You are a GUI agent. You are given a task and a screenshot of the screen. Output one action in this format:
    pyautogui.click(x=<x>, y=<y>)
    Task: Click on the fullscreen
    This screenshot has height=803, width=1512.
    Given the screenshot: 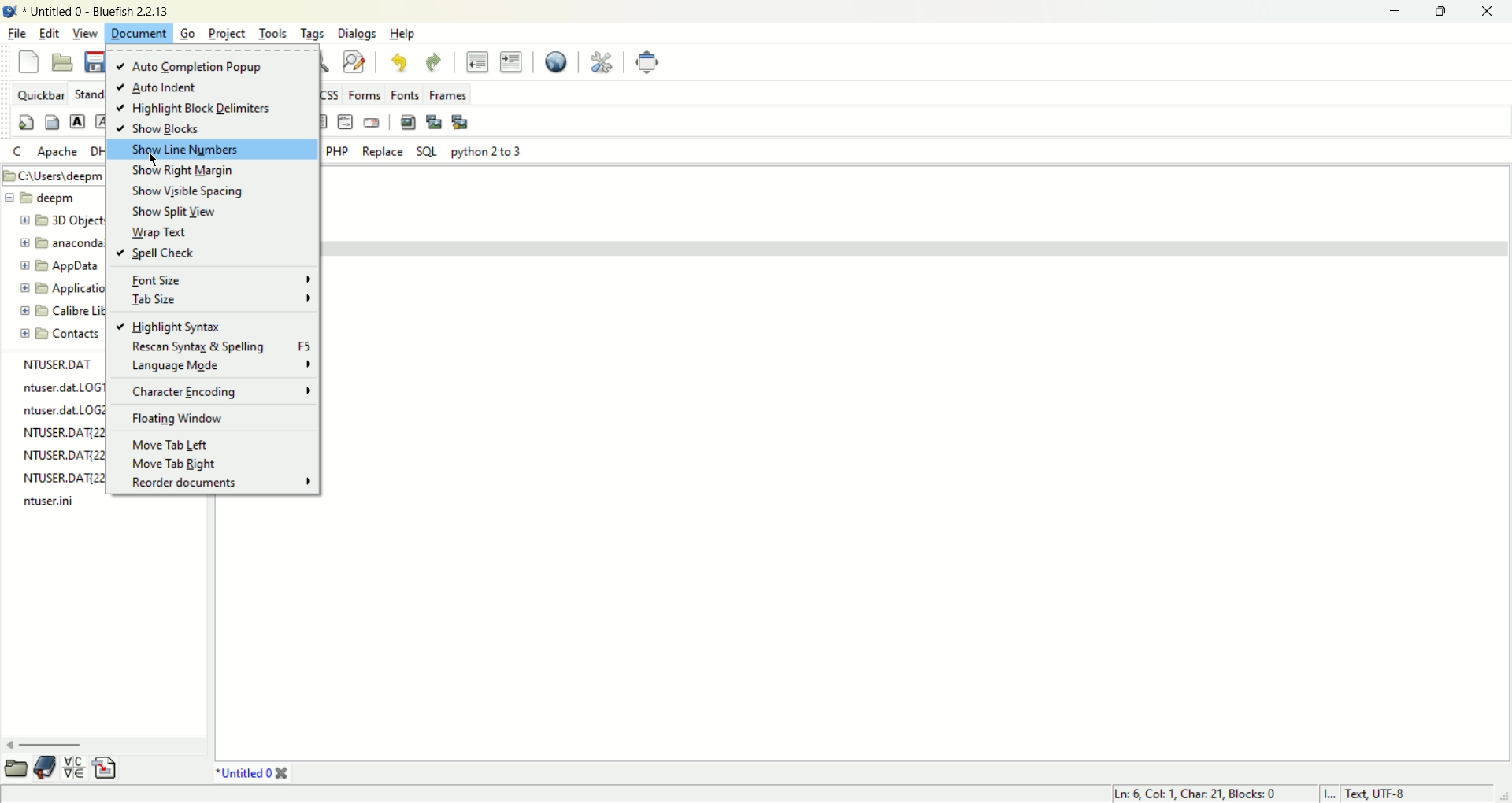 What is the action you would take?
    pyautogui.click(x=647, y=61)
    